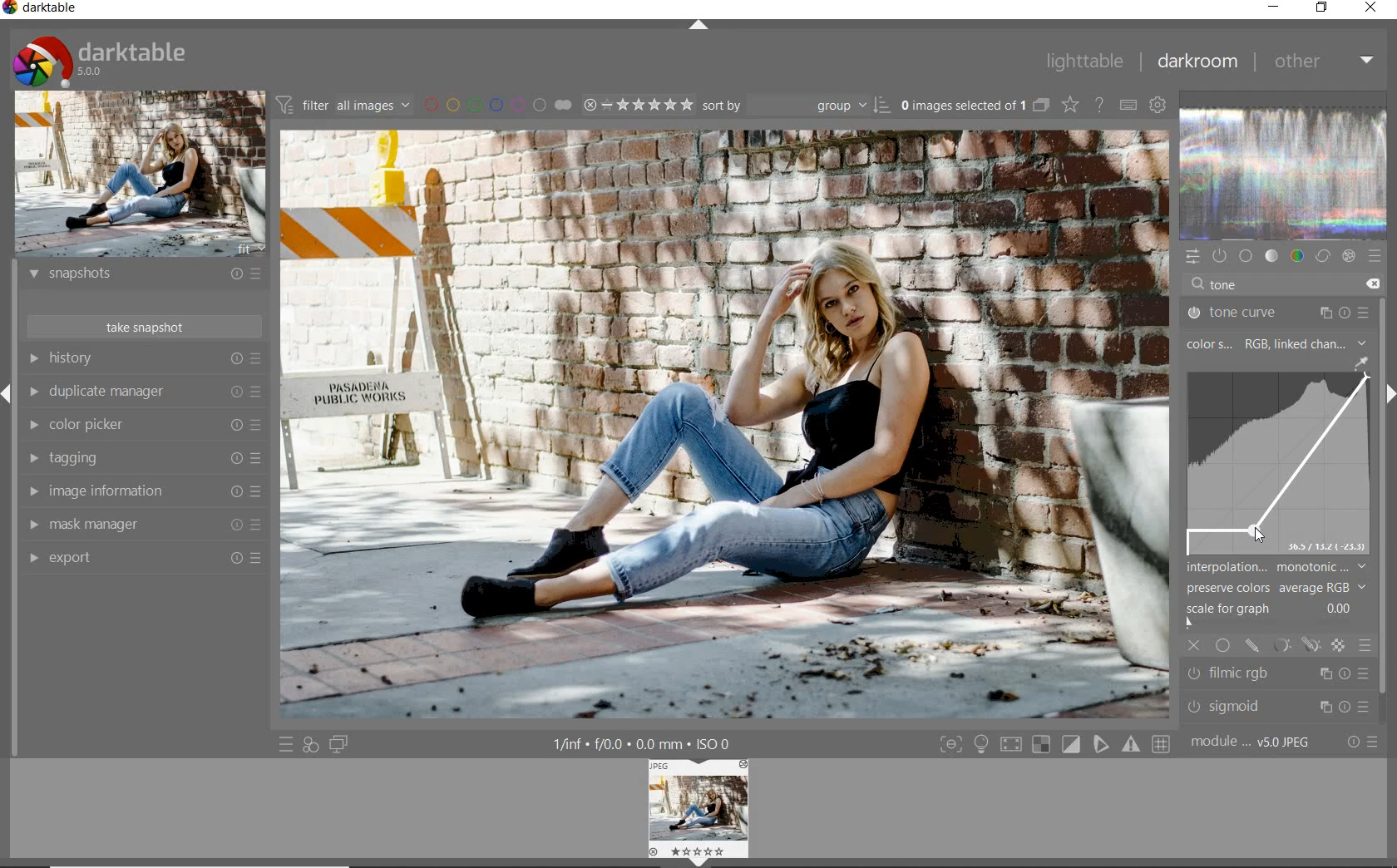  What do you see at coordinates (1227, 284) in the screenshot?
I see `tone` at bounding box center [1227, 284].